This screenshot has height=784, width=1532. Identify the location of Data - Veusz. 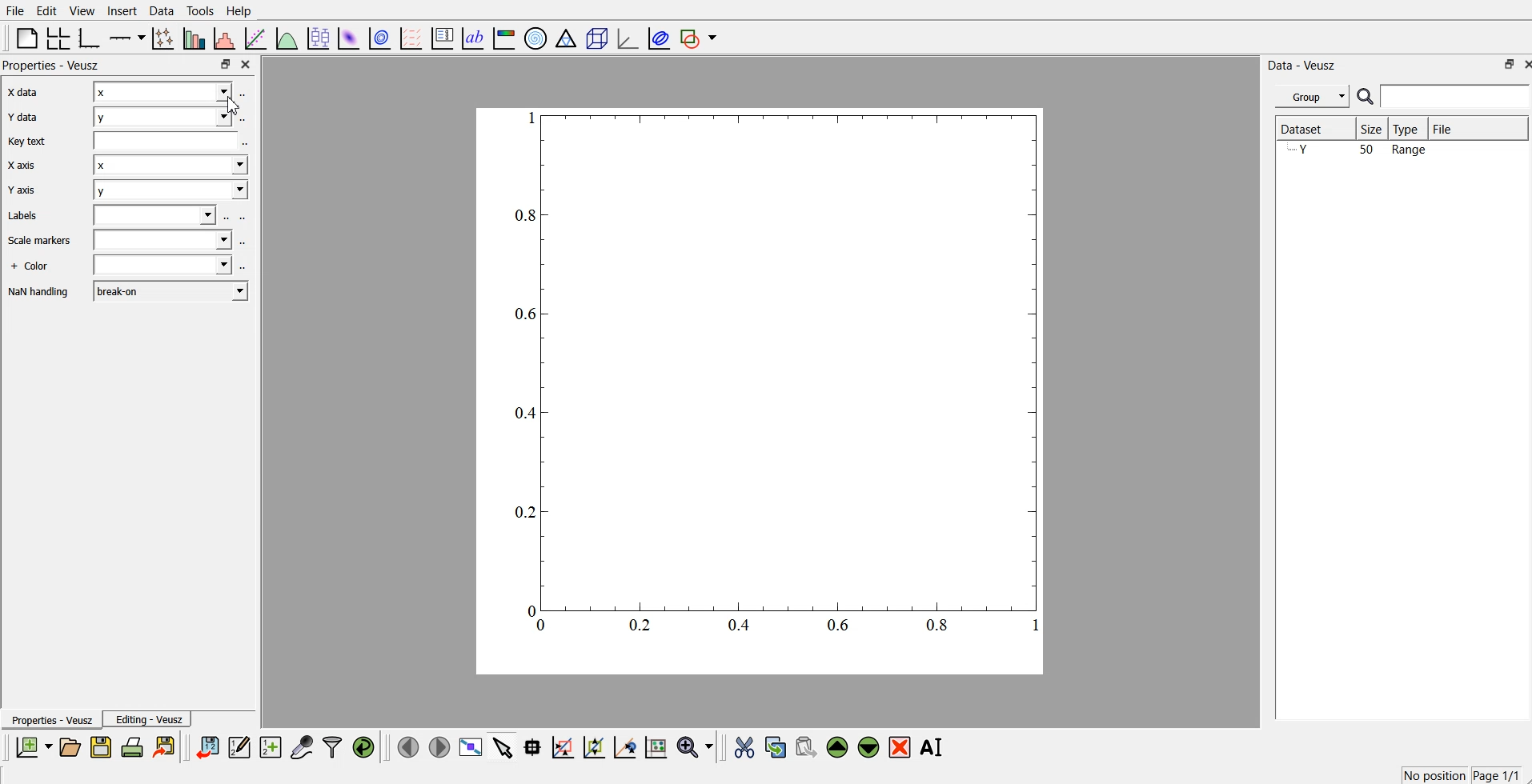
(1303, 65).